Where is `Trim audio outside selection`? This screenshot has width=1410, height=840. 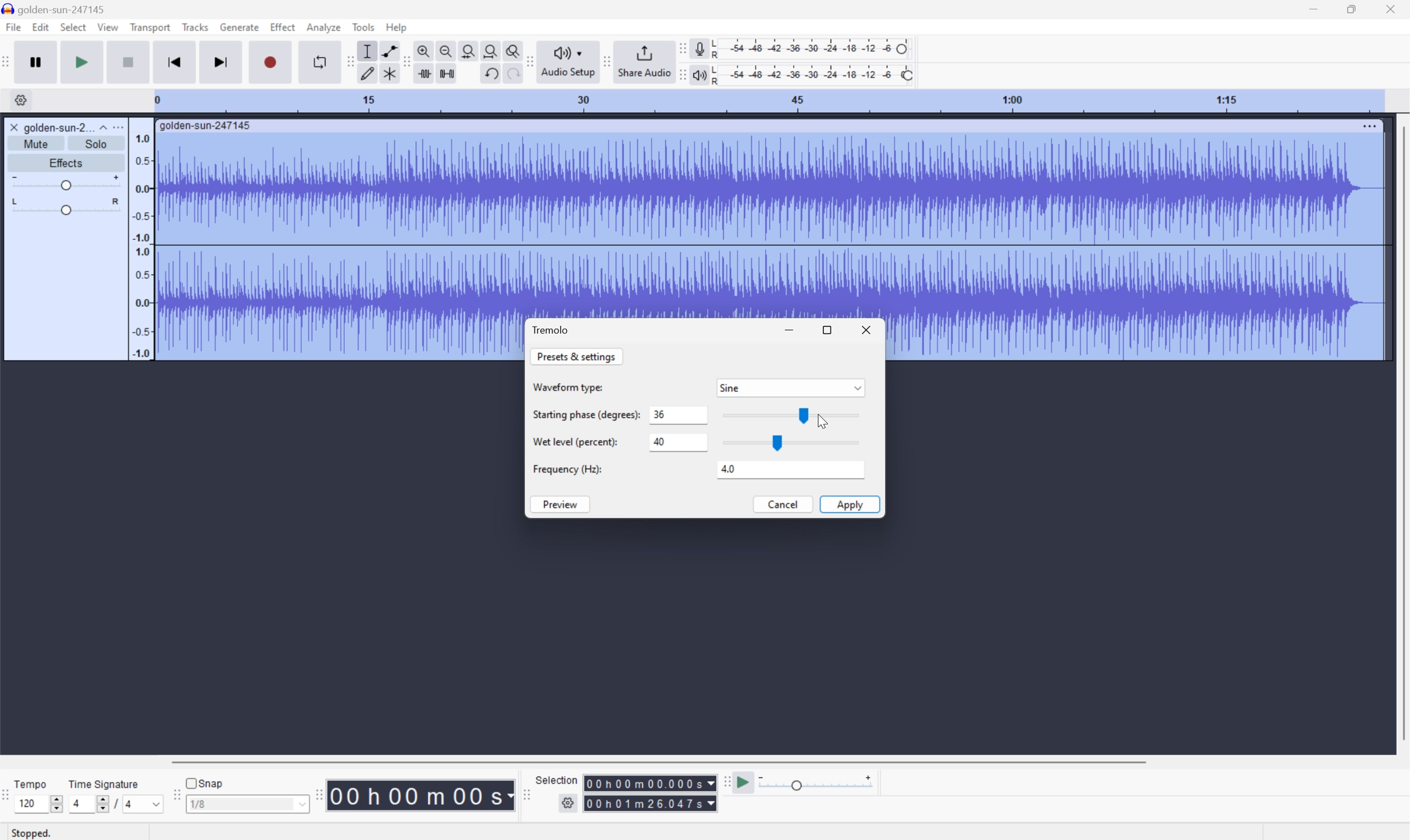
Trim audio outside selection is located at coordinates (426, 73).